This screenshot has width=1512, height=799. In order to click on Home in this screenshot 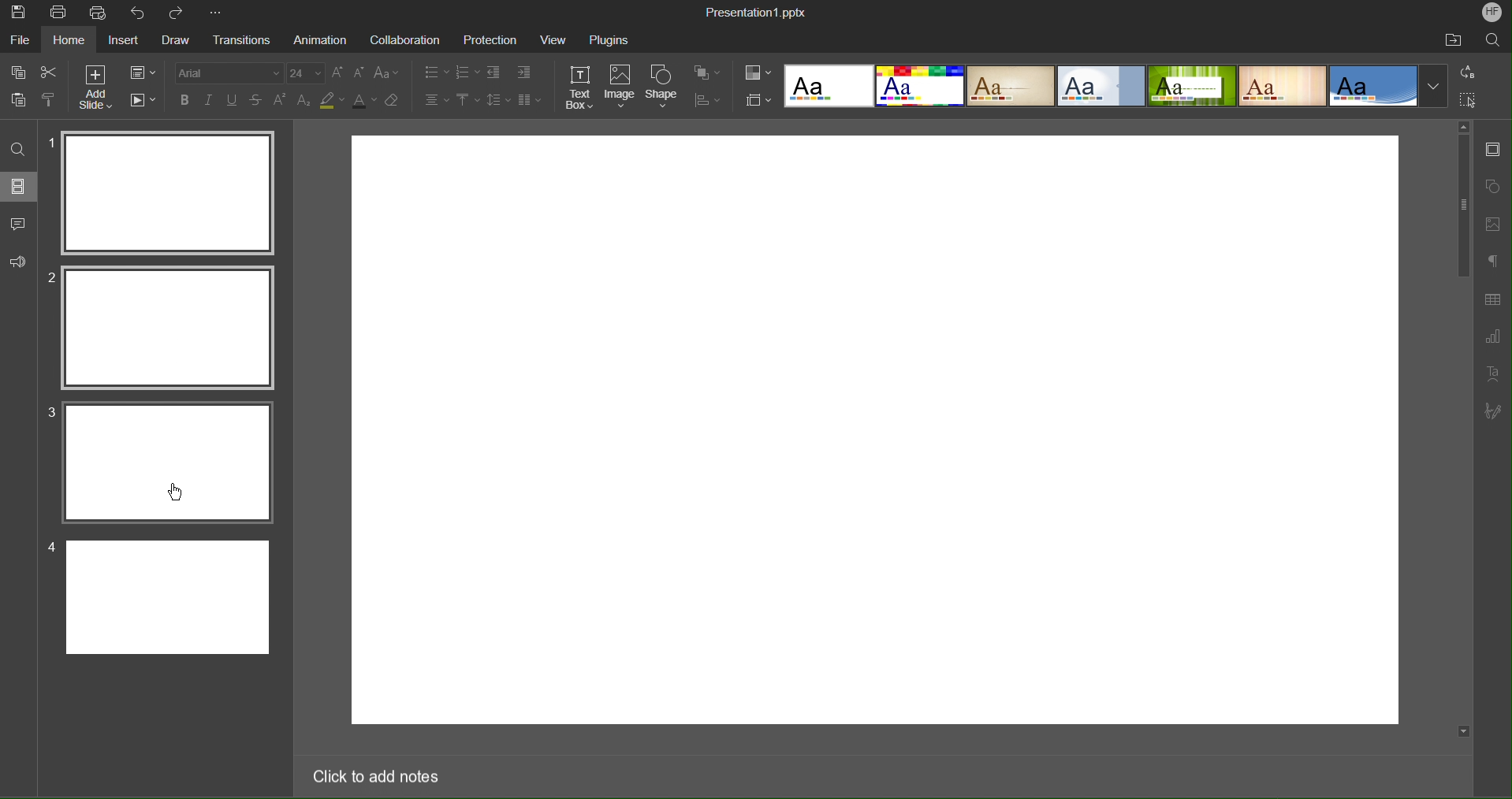, I will do `click(71, 40)`.